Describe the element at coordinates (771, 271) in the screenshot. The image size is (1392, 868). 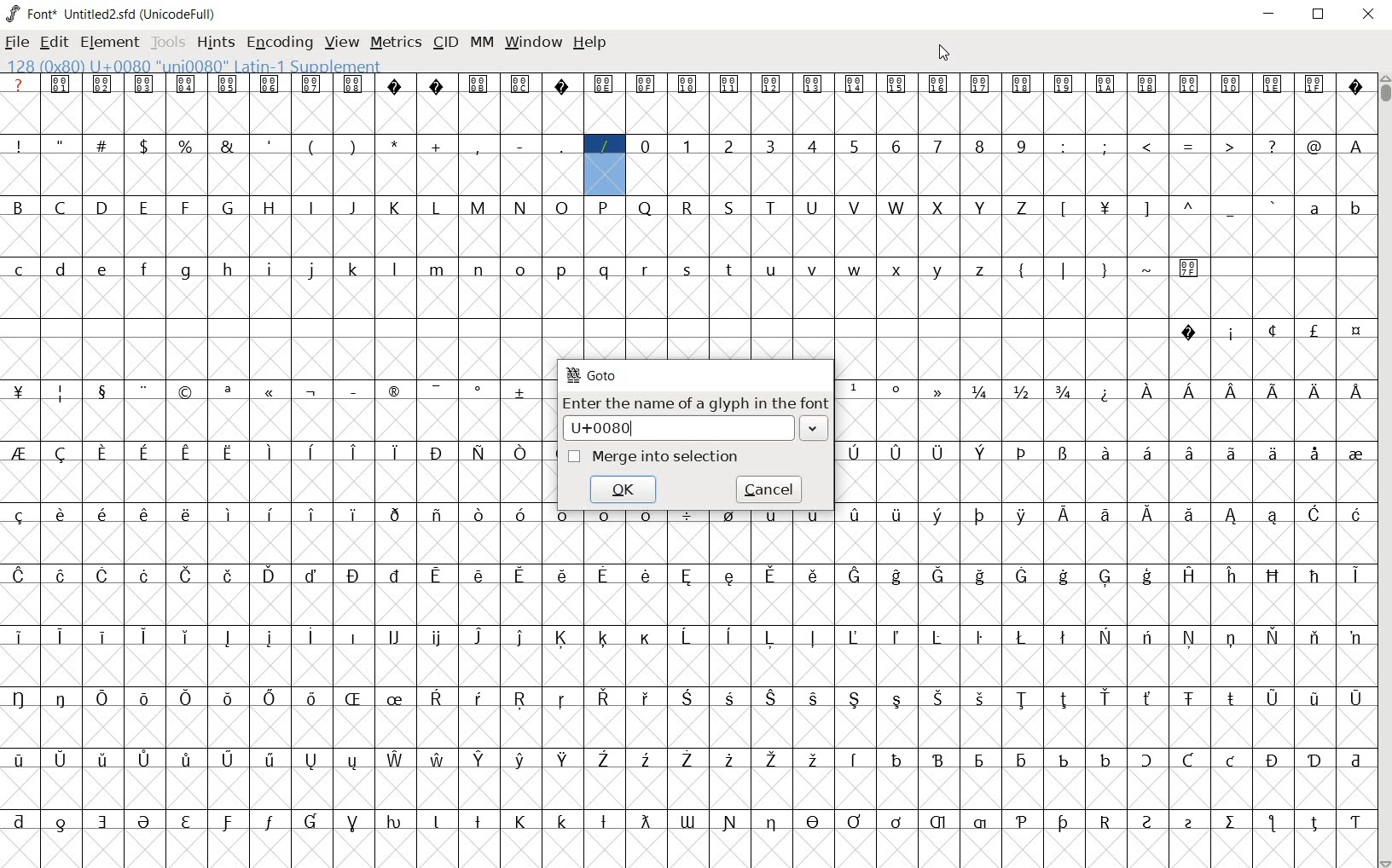
I see `glyph` at that location.